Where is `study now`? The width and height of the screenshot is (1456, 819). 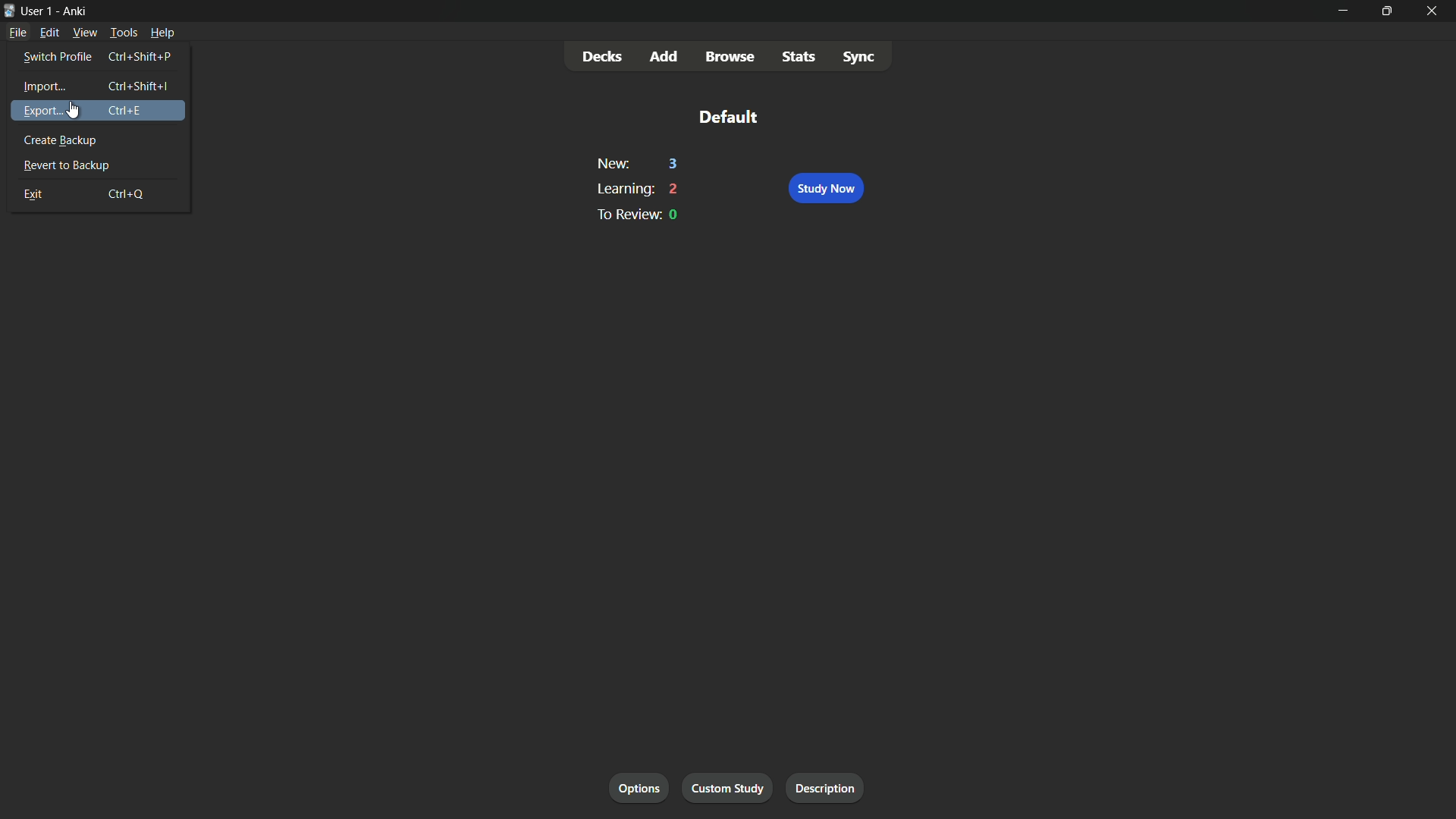 study now is located at coordinates (825, 189).